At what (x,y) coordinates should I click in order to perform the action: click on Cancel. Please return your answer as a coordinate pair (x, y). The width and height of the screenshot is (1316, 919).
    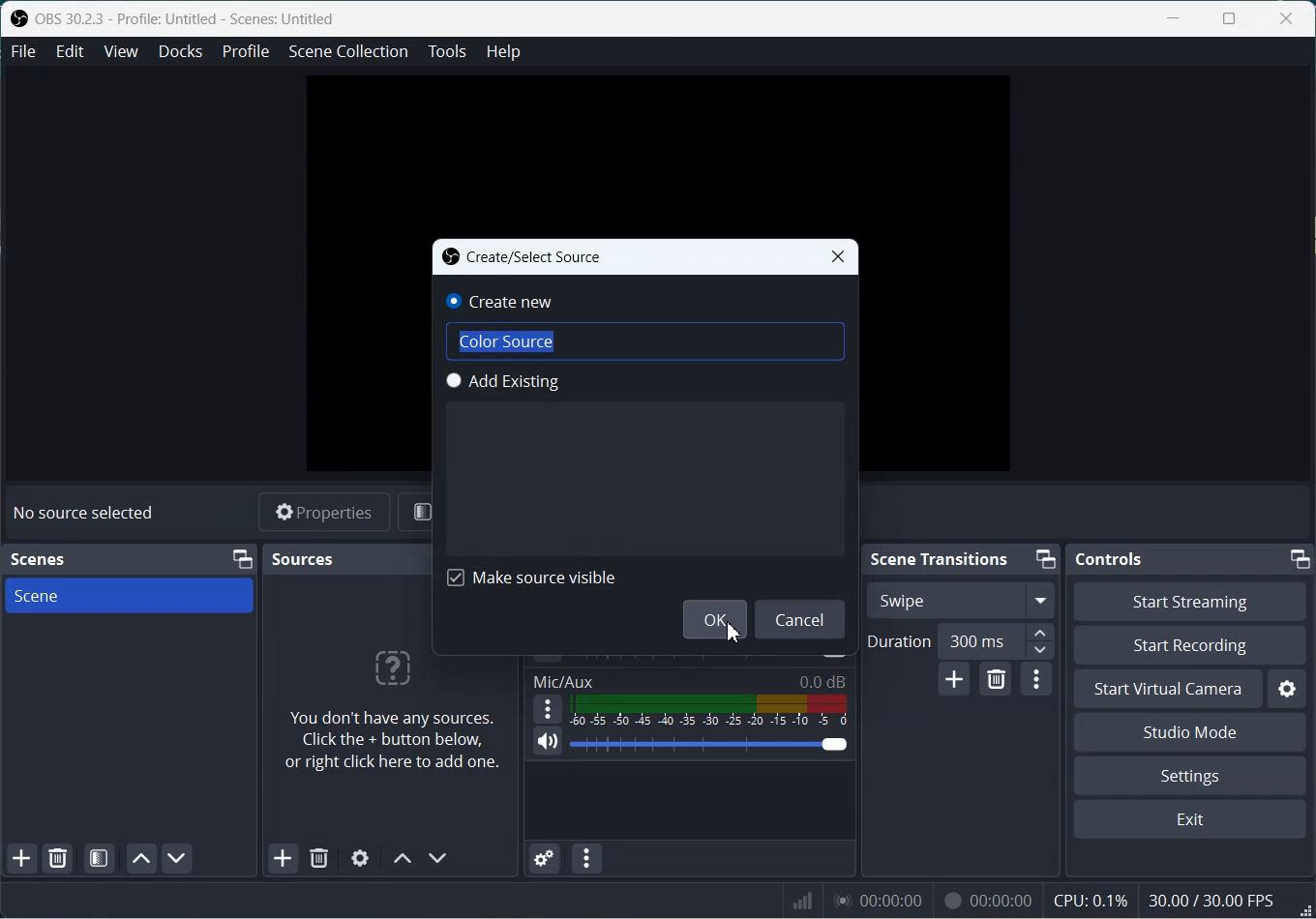
    Looking at the image, I should click on (803, 619).